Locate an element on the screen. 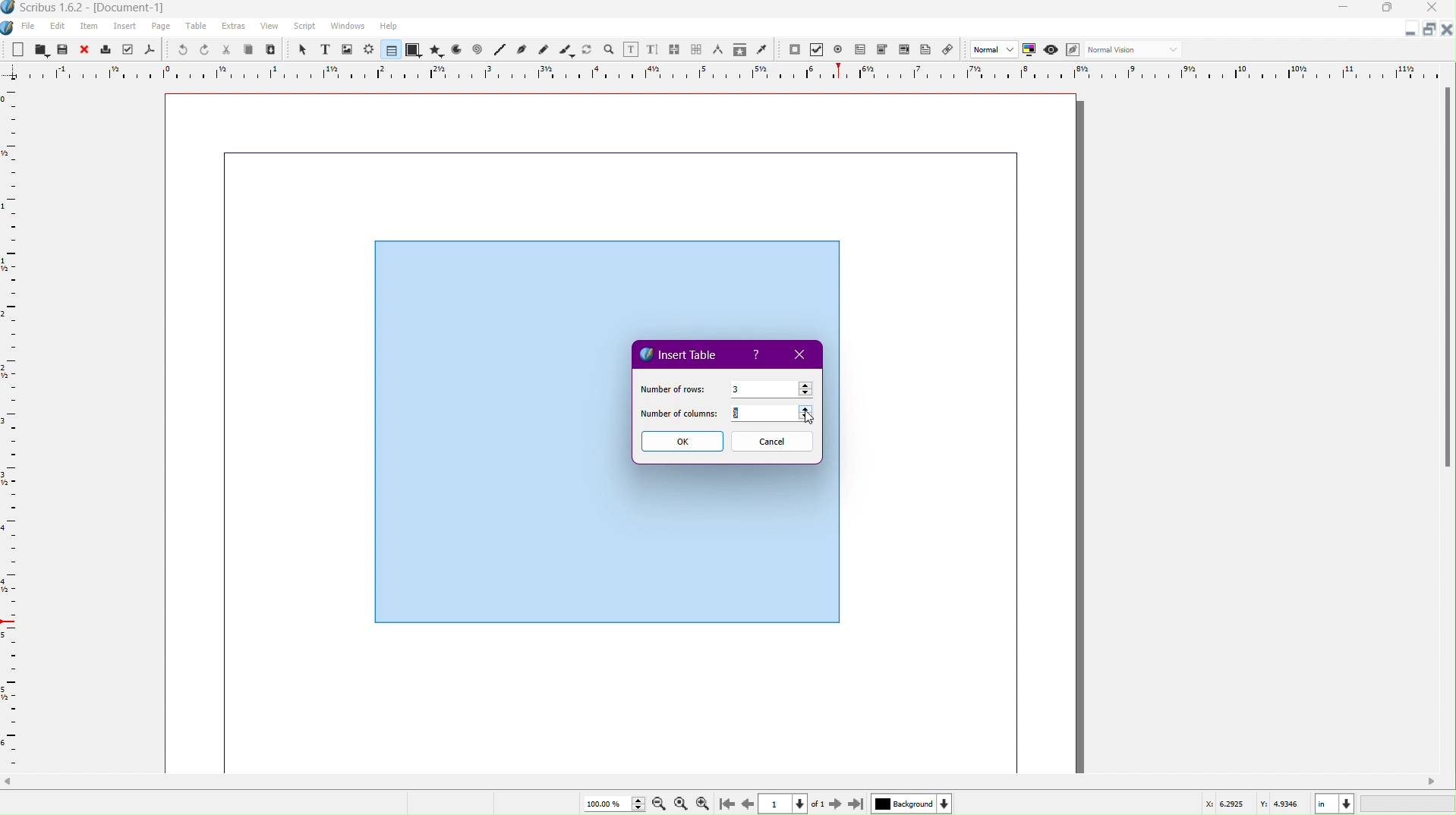 This screenshot has width=1456, height=815. Measurements is located at coordinates (720, 49).